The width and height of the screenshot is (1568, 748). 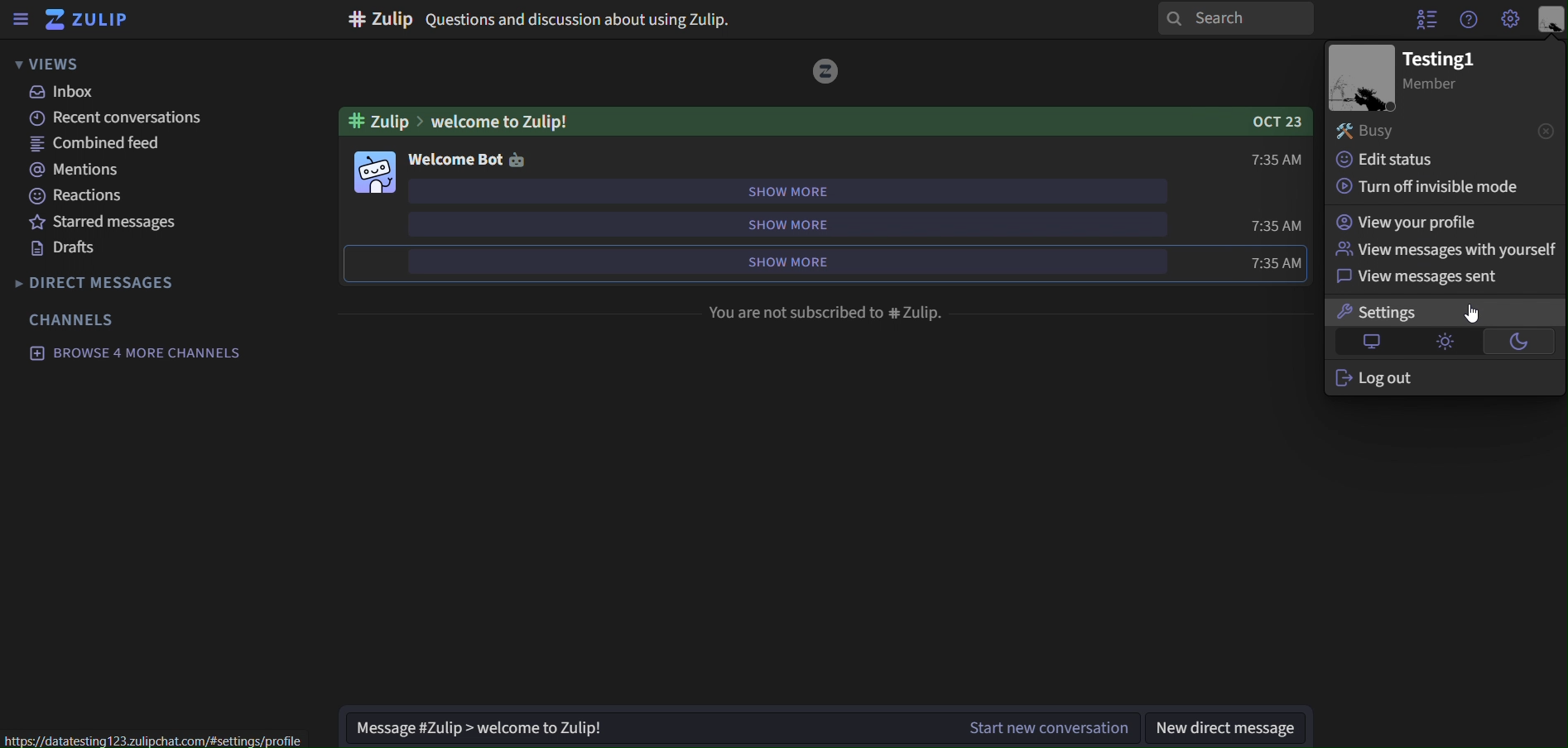 What do you see at coordinates (73, 170) in the screenshot?
I see `mentions` at bounding box center [73, 170].